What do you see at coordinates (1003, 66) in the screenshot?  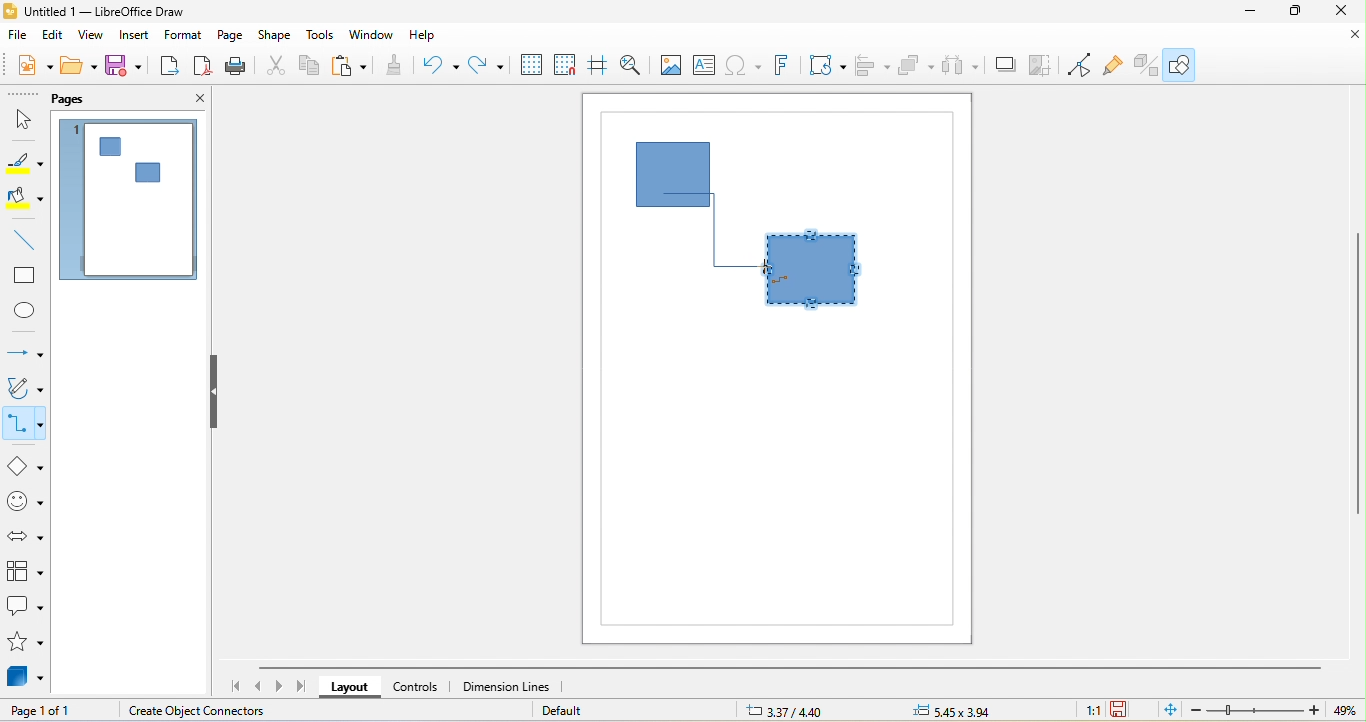 I see `shadow` at bounding box center [1003, 66].